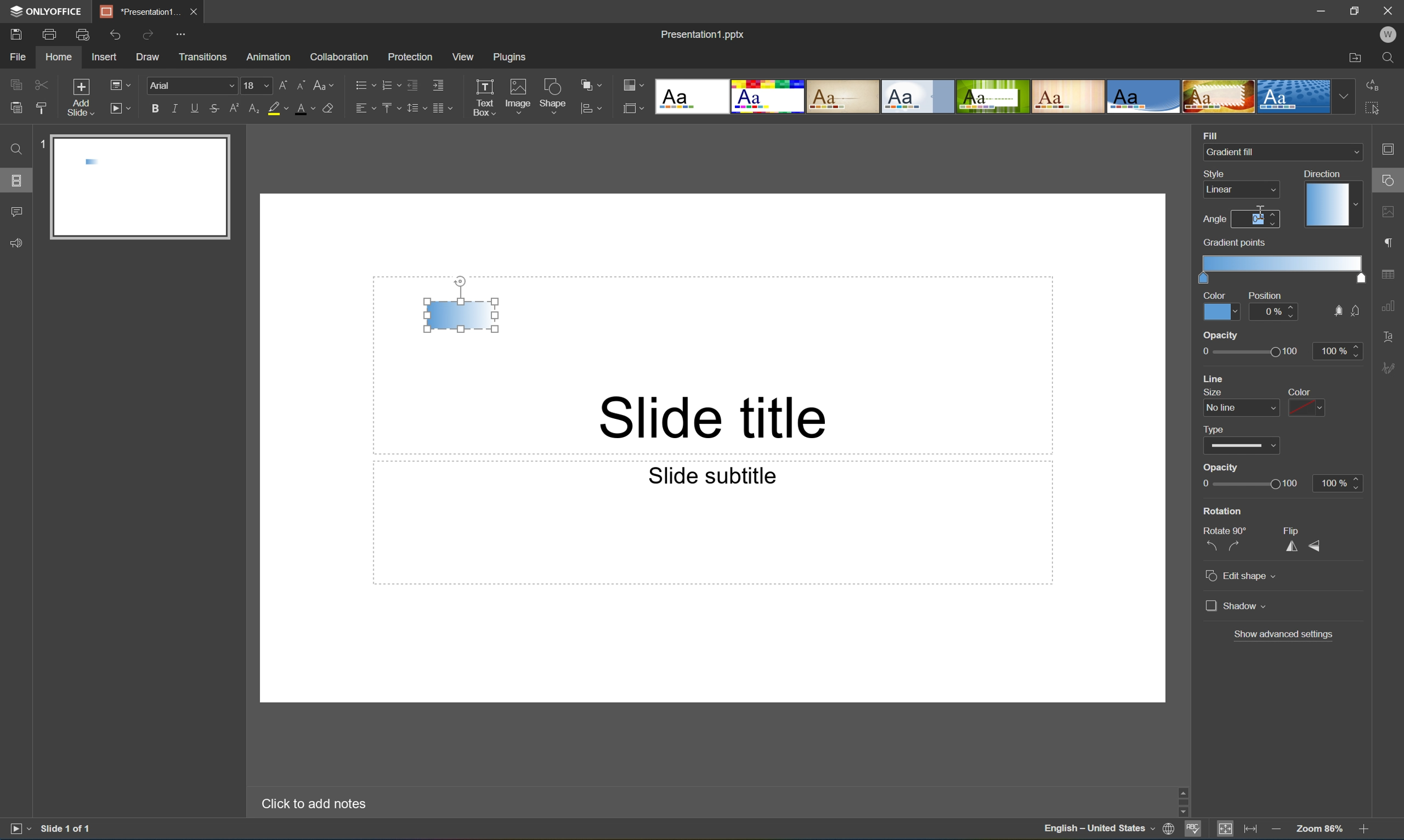  Describe the element at coordinates (1393, 58) in the screenshot. I see `Find` at that location.